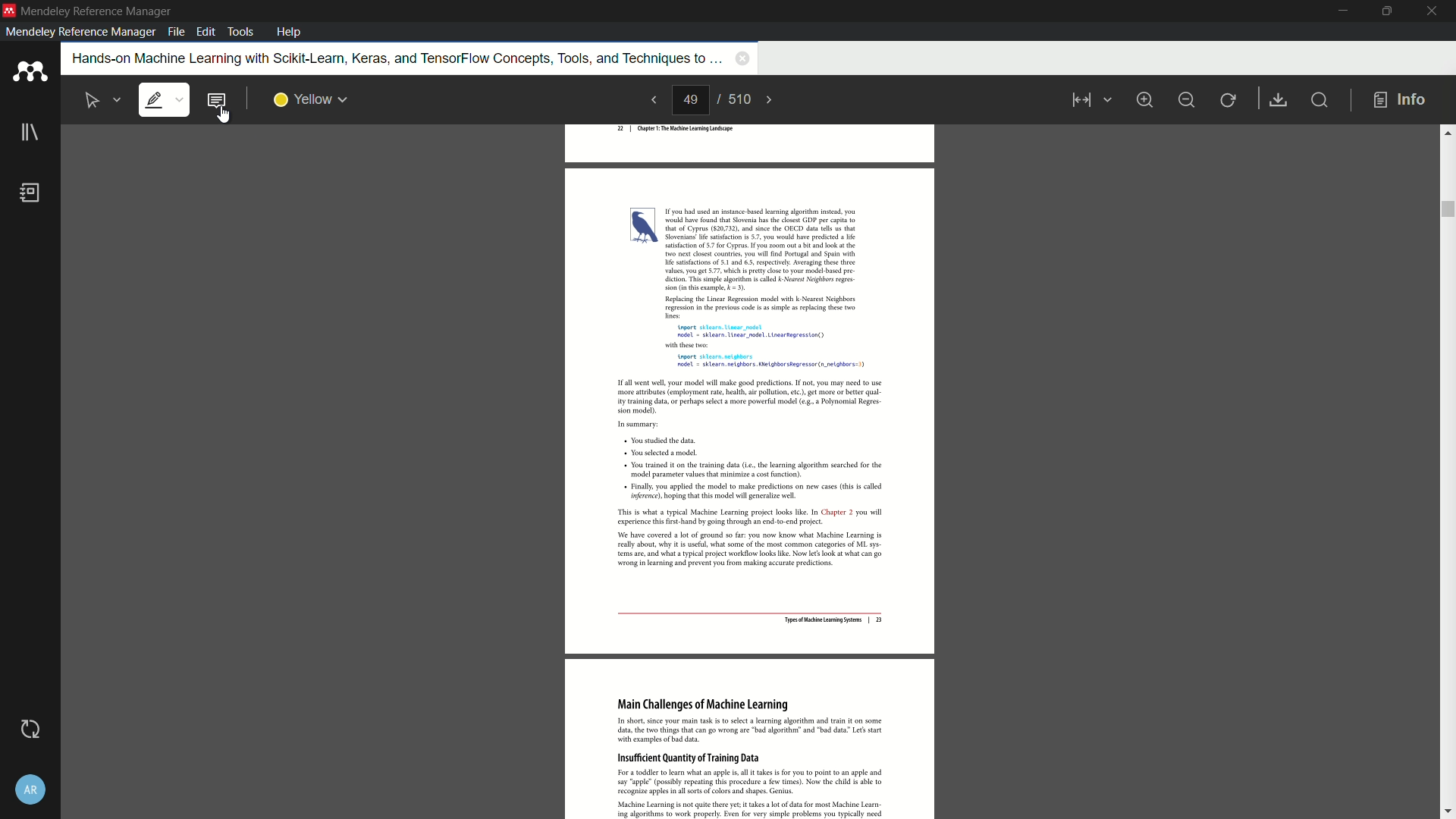 Image resolution: width=1456 pixels, height=819 pixels. Describe the element at coordinates (741, 100) in the screenshot. I see `total page` at that location.